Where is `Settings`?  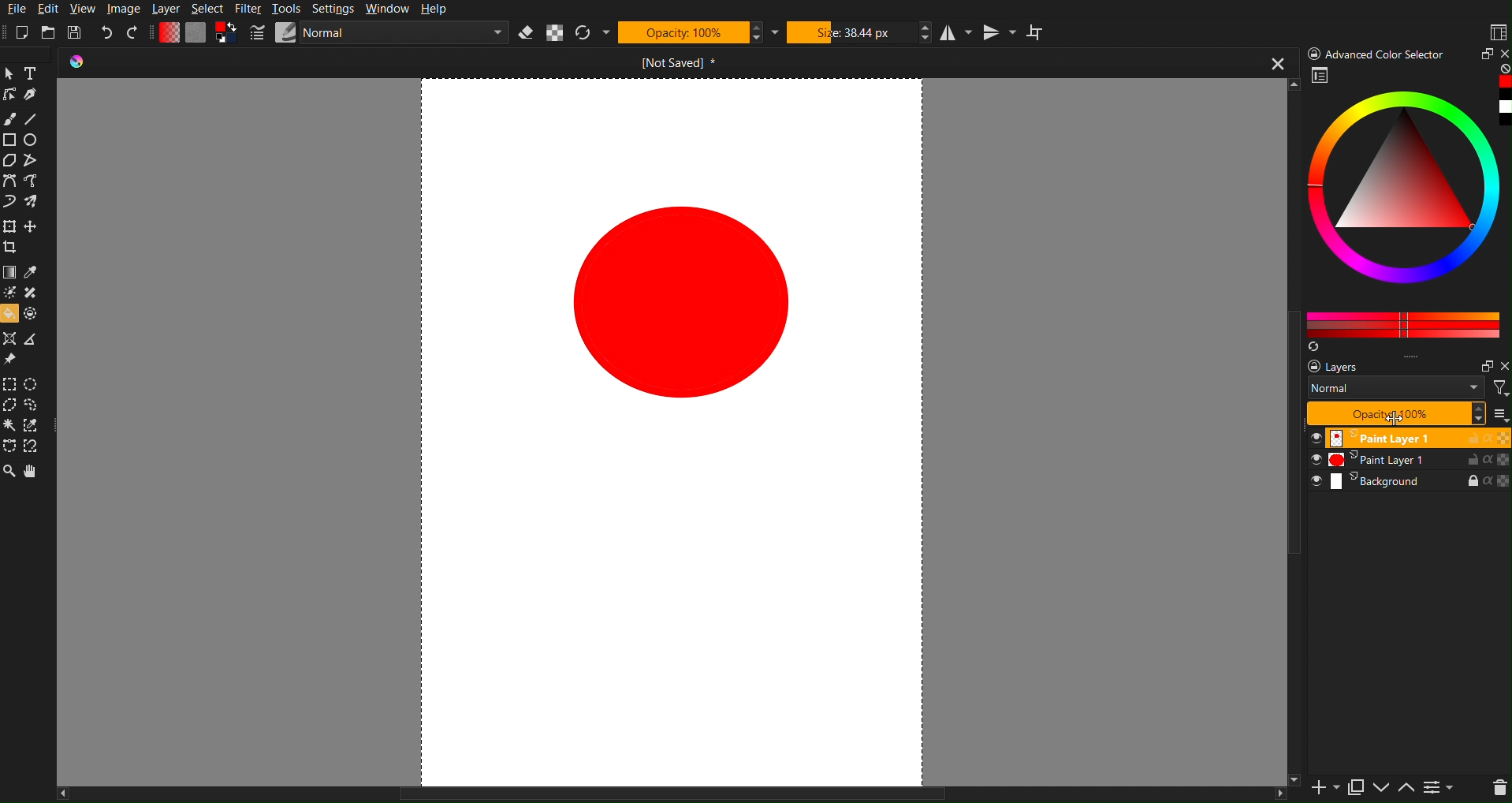
Settings is located at coordinates (333, 9).